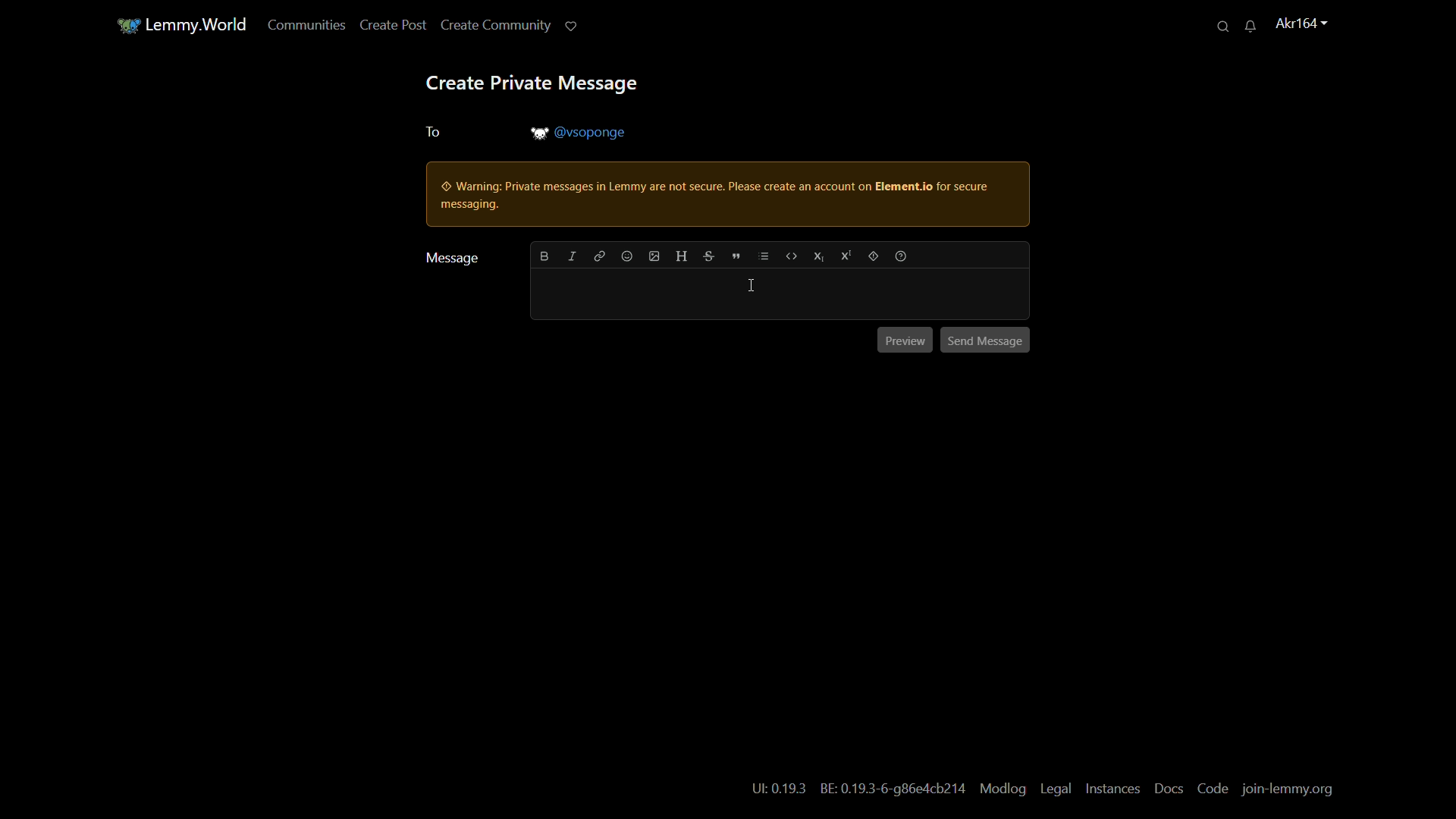 The image size is (1456, 819). What do you see at coordinates (629, 297) in the screenshot?
I see `message bar` at bounding box center [629, 297].